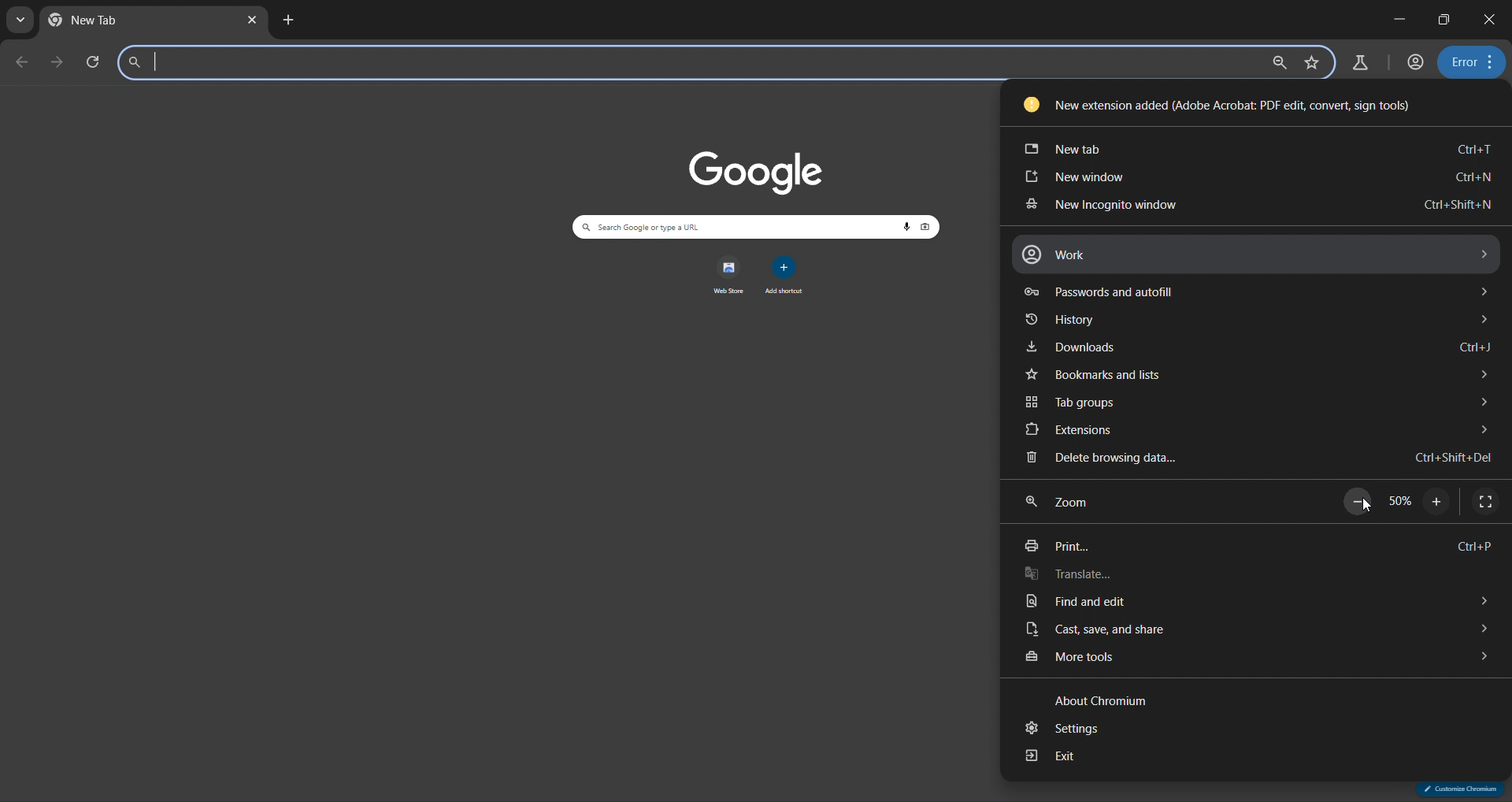 The image size is (1512, 802). What do you see at coordinates (1398, 17) in the screenshot?
I see `minimize` at bounding box center [1398, 17].